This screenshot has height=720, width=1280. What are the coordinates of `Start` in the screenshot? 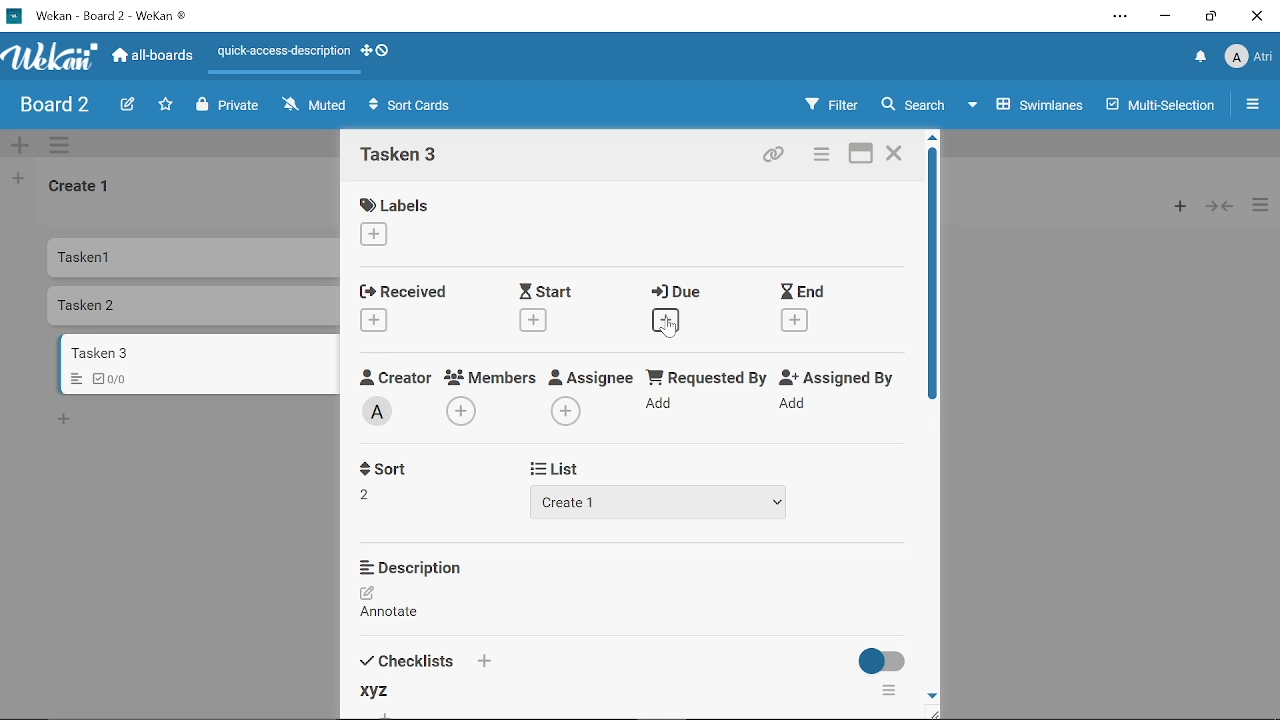 It's located at (544, 291).